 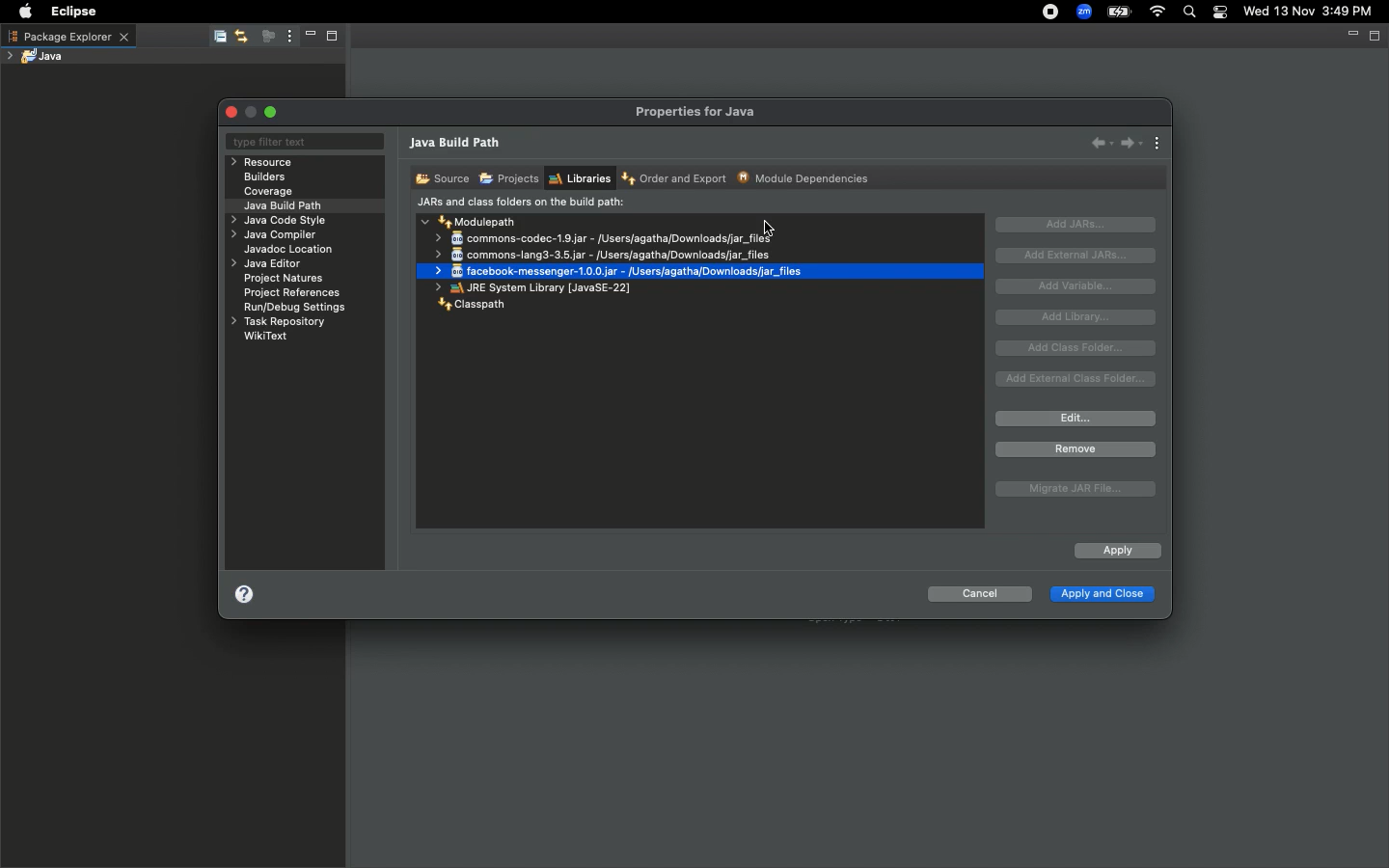 I want to click on Collapse all, so click(x=218, y=38).